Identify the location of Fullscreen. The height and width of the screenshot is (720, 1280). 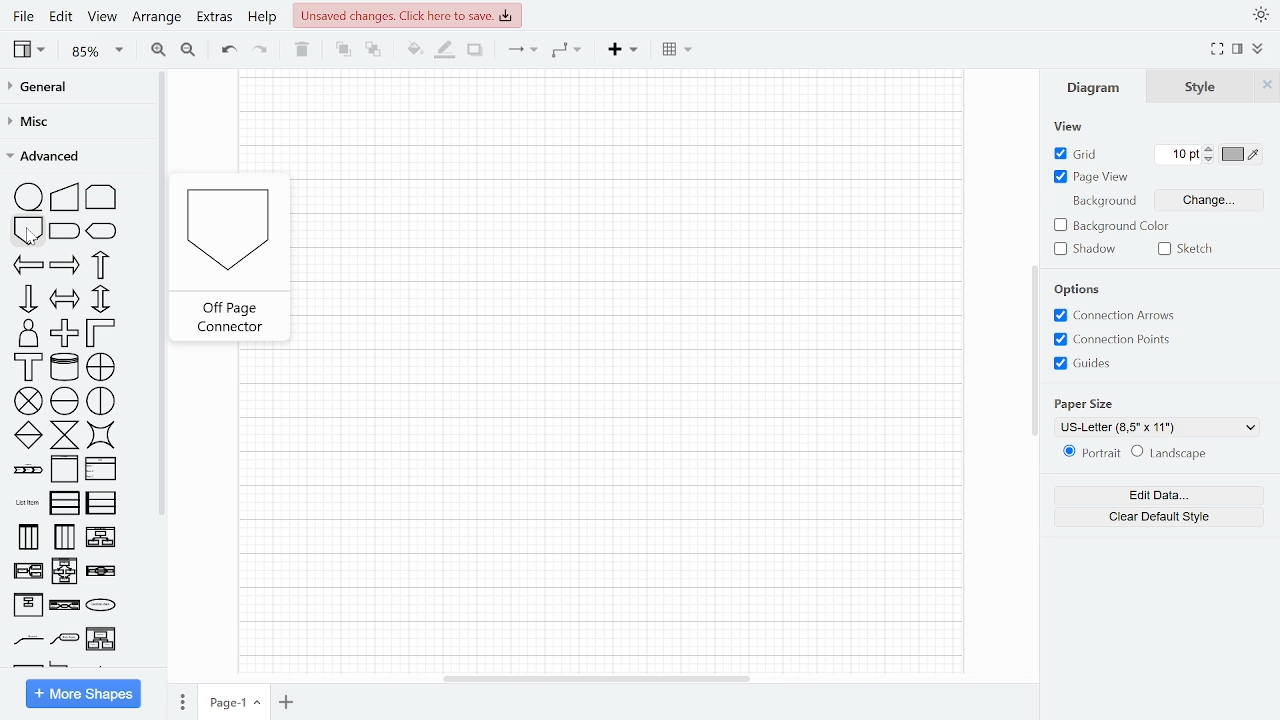
(1217, 49).